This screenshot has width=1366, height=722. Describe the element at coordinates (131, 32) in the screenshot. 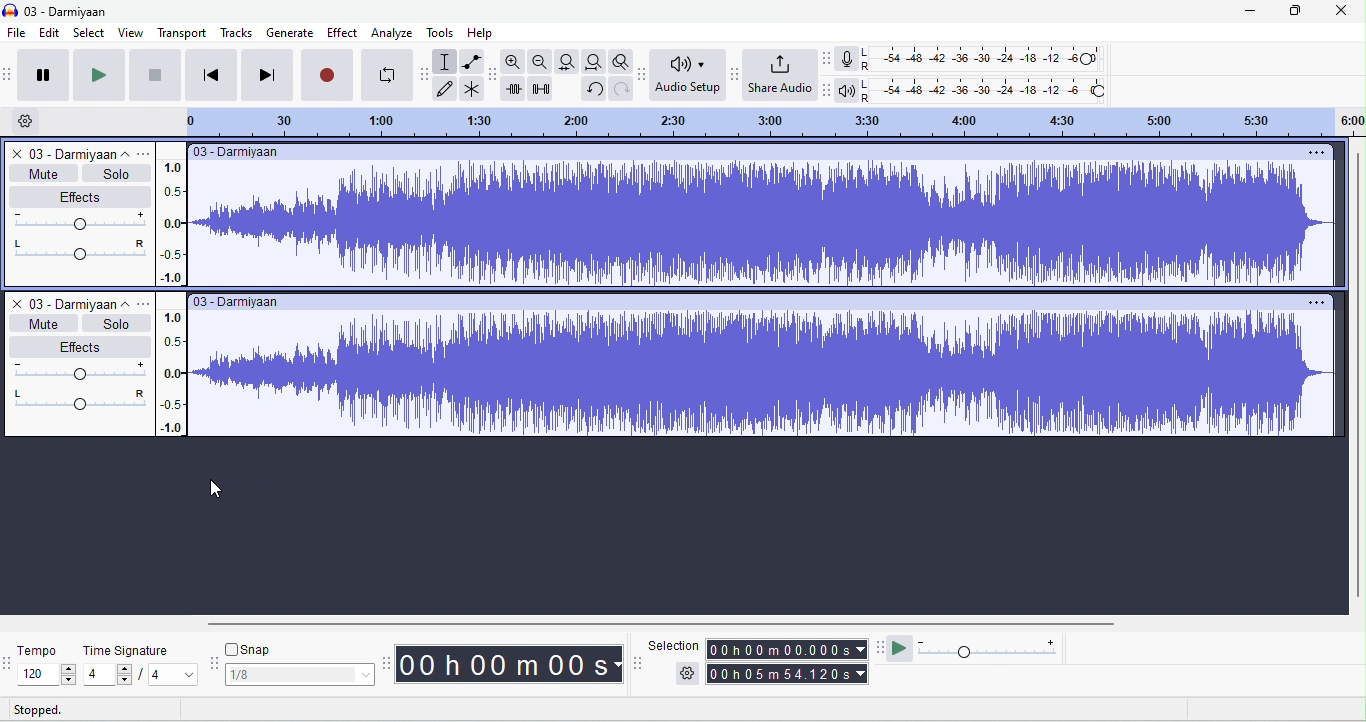

I see `view` at that location.